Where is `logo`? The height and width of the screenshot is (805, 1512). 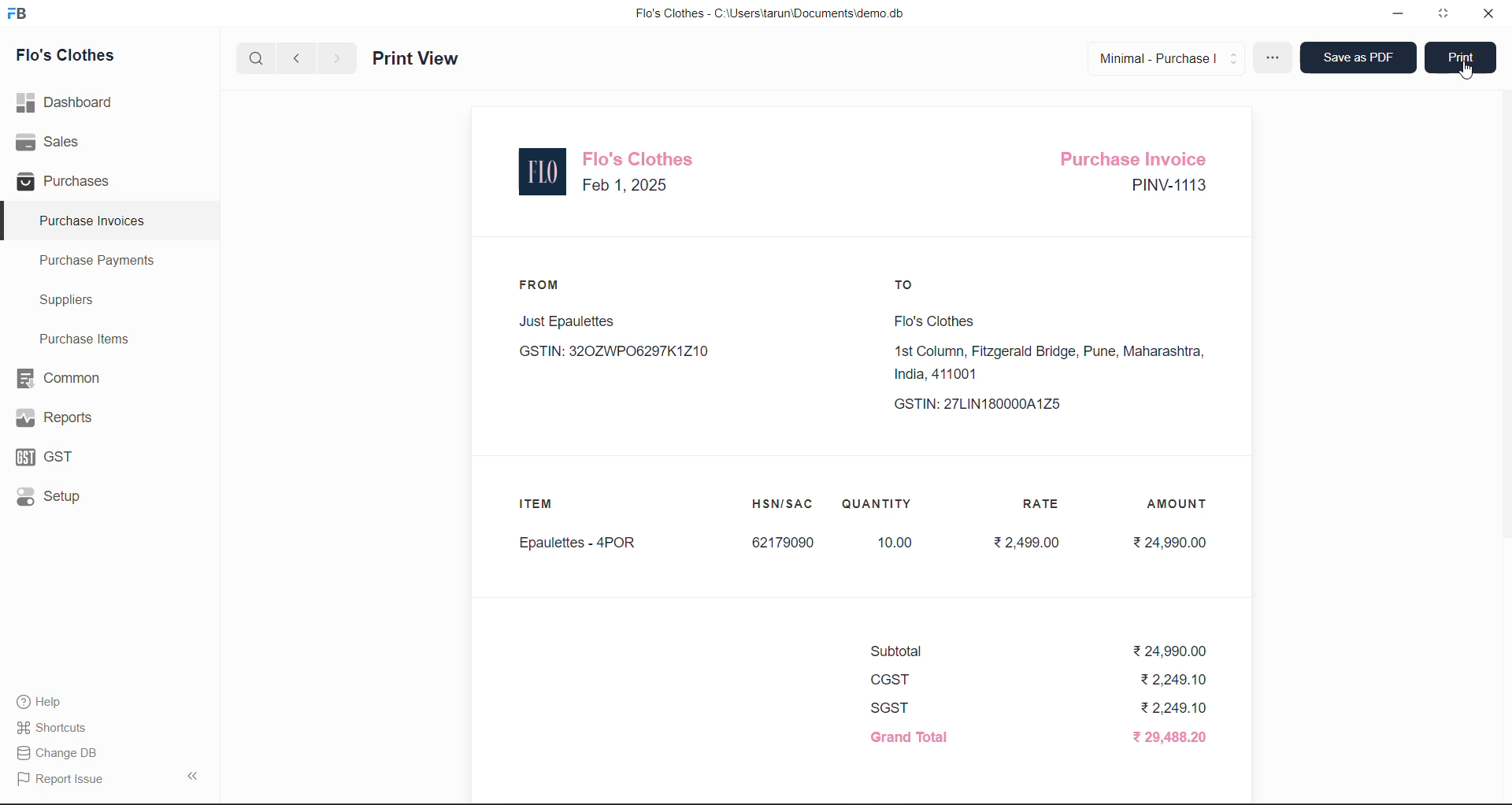 logo is located at coordinates (543, 170).